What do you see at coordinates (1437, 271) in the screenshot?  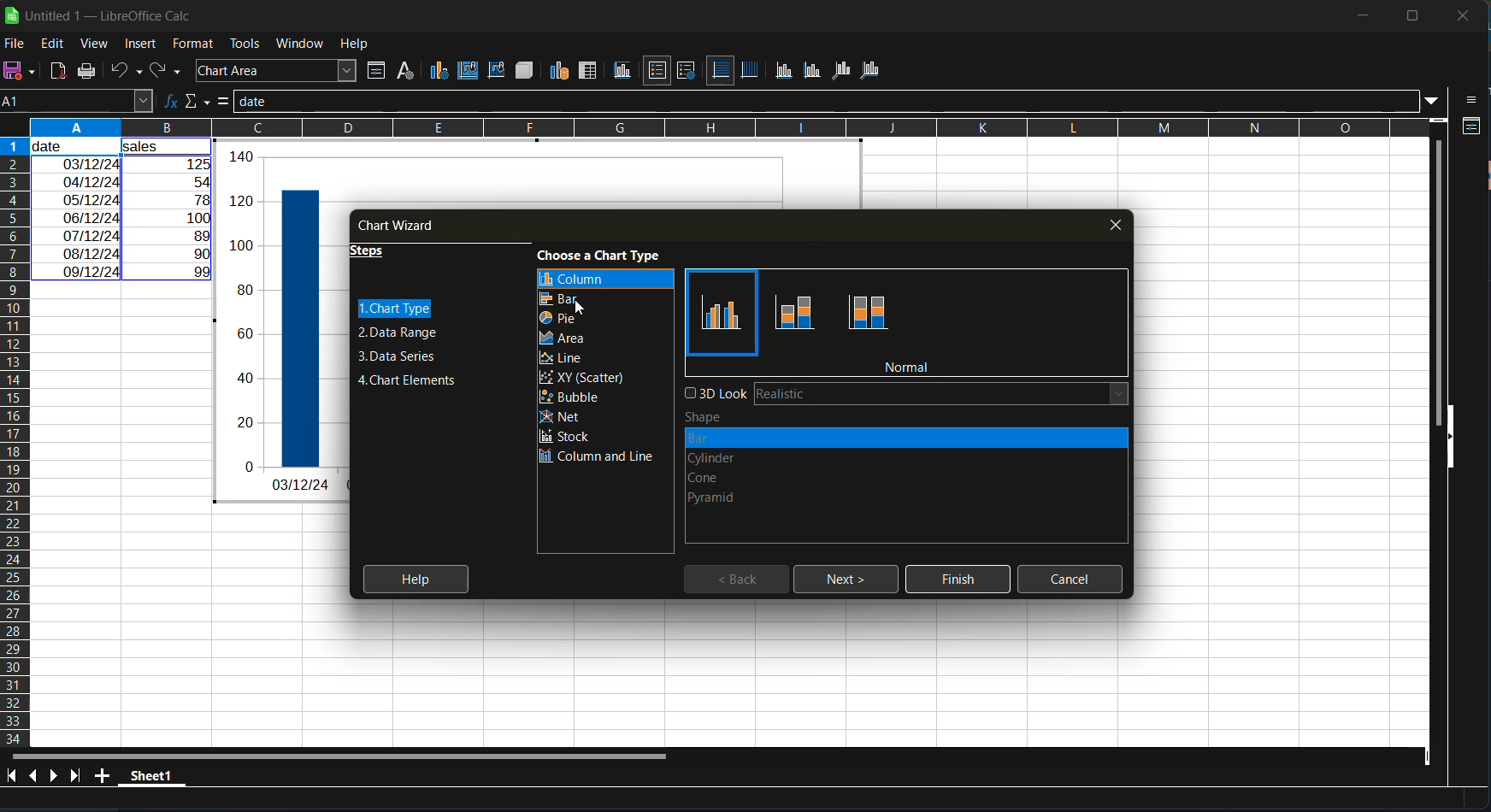 I see `vertical scroll bar` at bounding box center [1437, 271].